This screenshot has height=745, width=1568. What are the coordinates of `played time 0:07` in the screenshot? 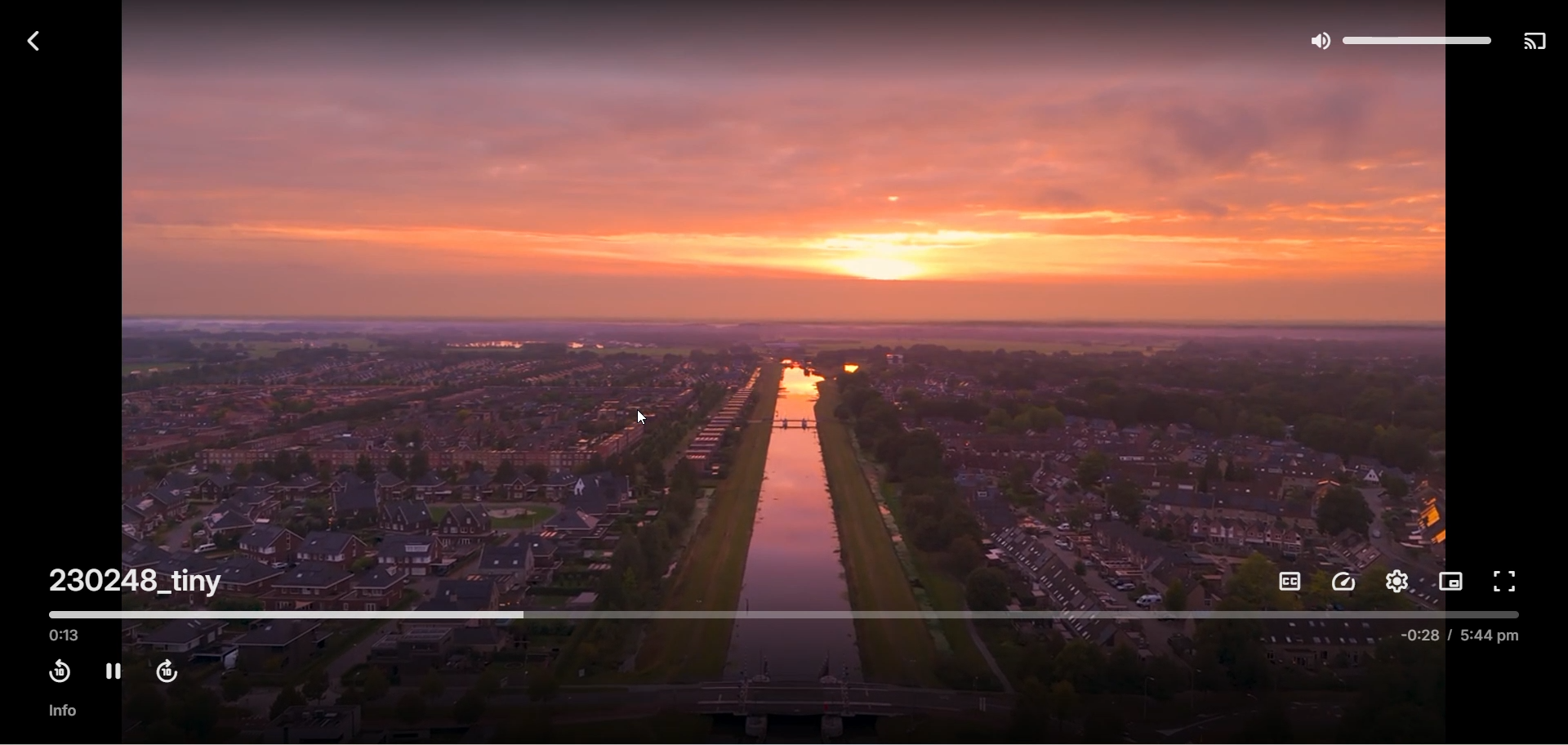 It's located at (65, 636).